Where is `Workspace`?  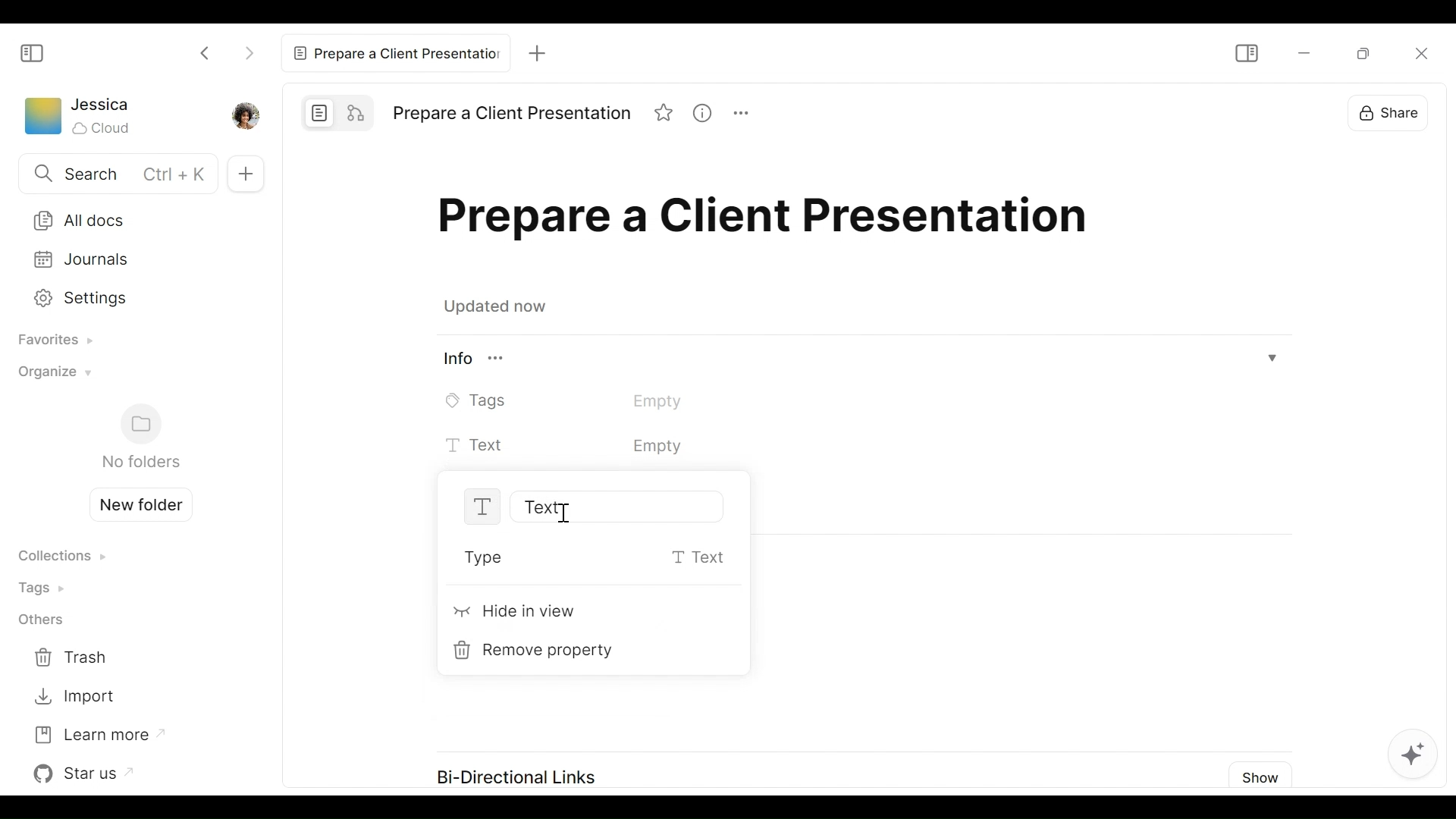 Workspace is located at coordinates (42, 119).